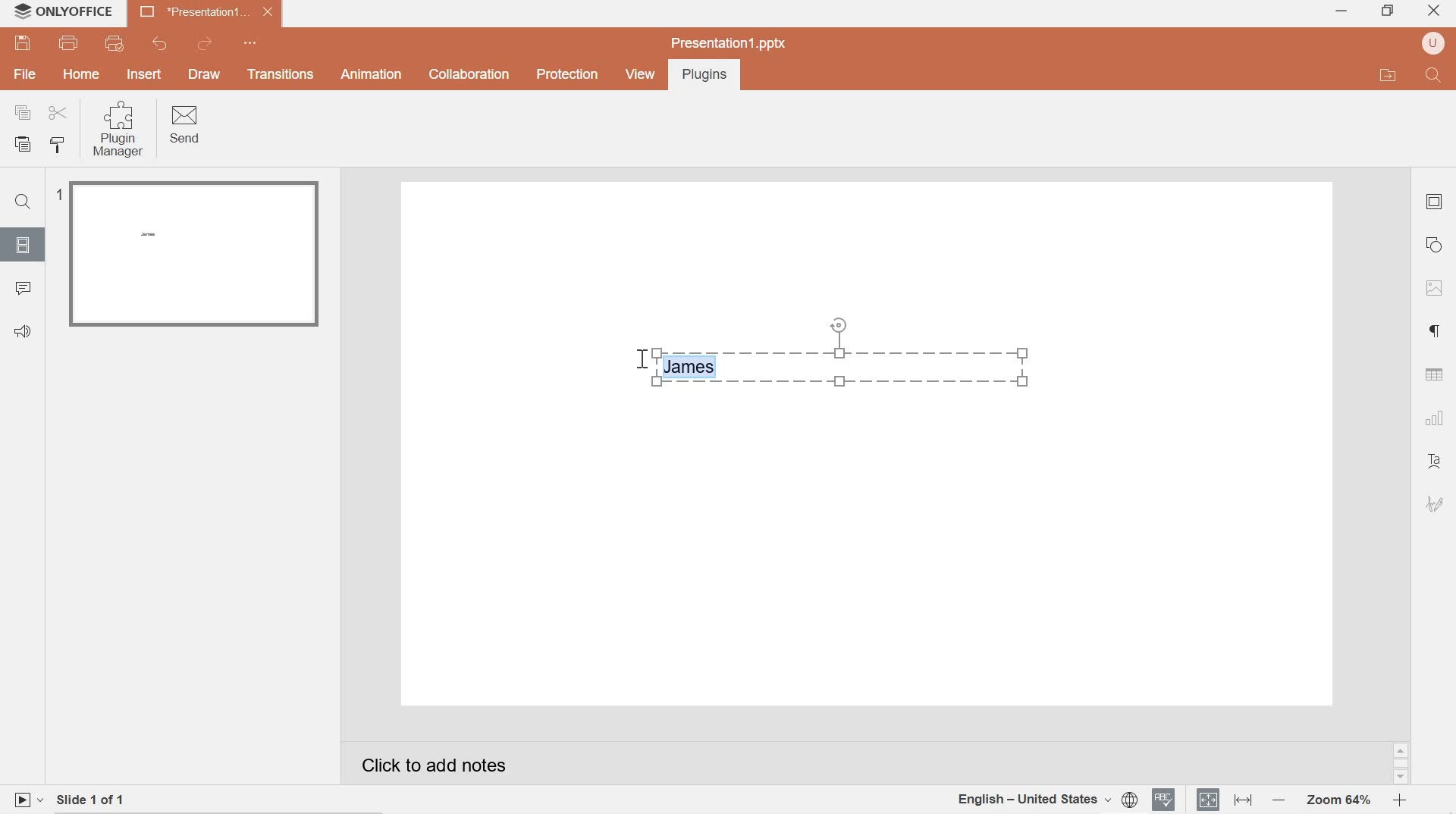 This screenshot has height=814, width=1456. Describe the element at coordinates (24, 245) in the screenshot. I see `slides` at that location.